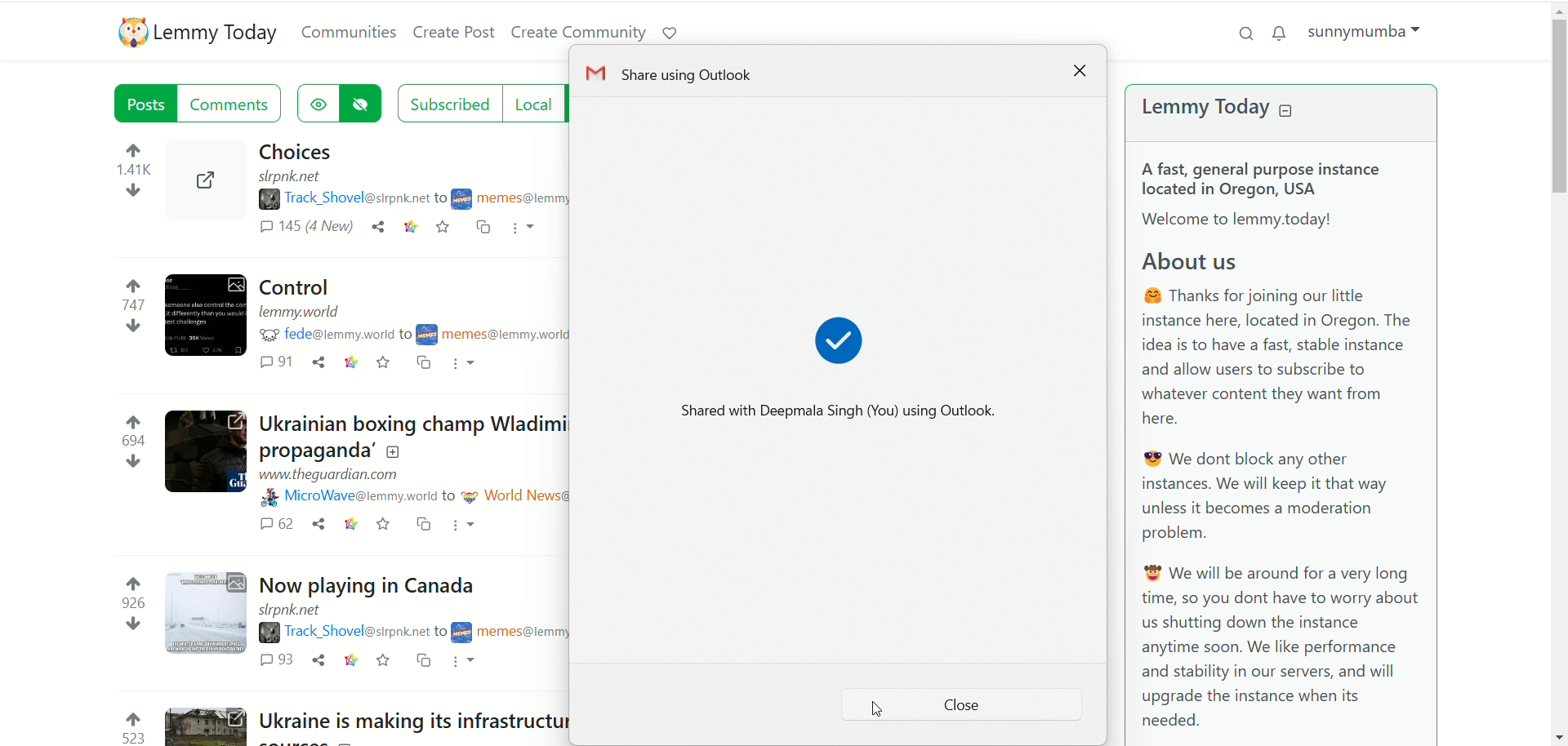  What do you see at coordinates (419, 437) in the screenshot?
I see `Post on "Ukrainian boxing champ Wladimir Klitschko calls out Rogan for ‘repeating Russian propaganda’"` at bounding box center [419, 437].